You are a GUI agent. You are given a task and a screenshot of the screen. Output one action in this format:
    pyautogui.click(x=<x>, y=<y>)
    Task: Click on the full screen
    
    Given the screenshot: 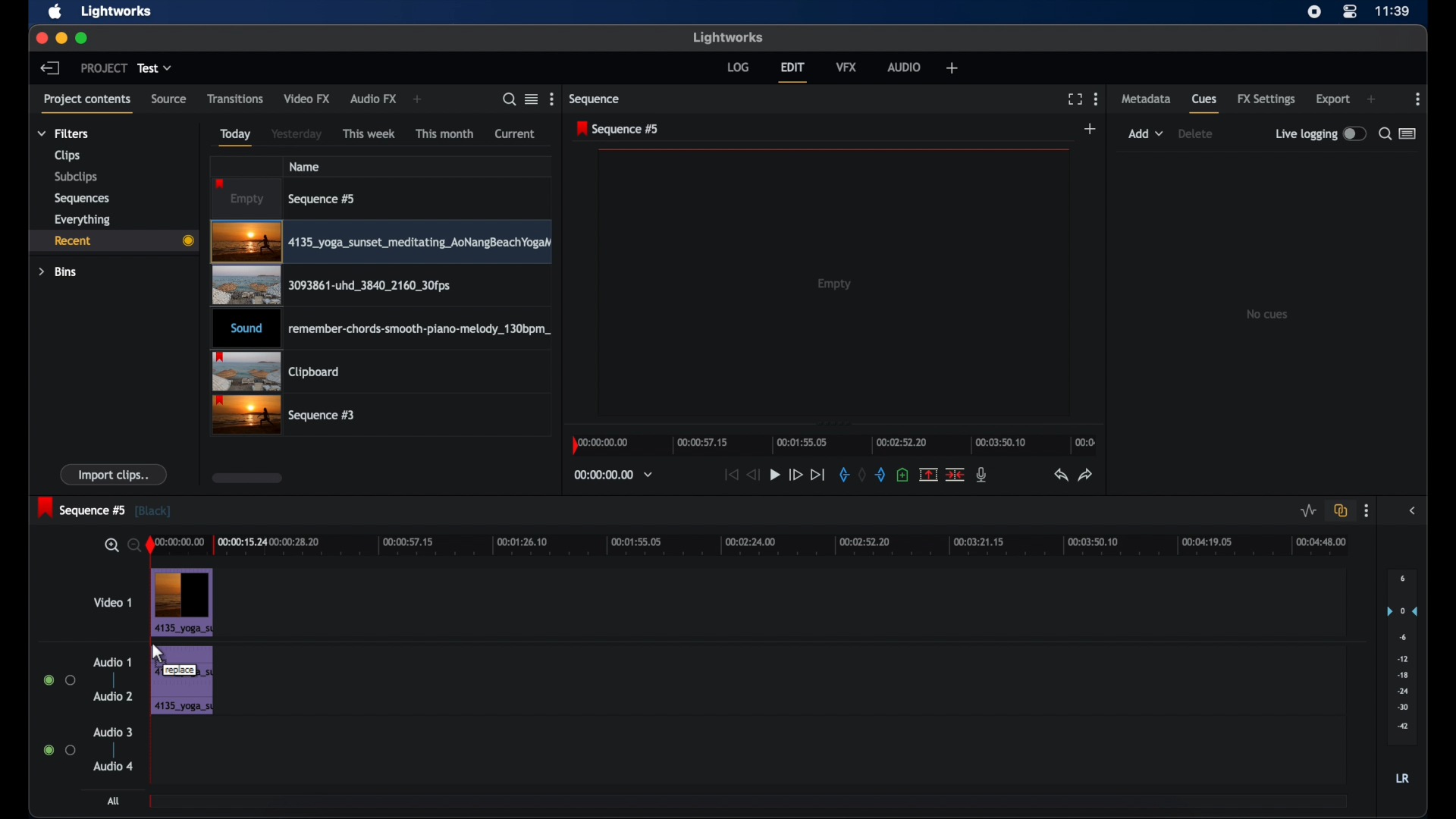 What is the action you would take?
    pyautogui.click(x=1075, y=99)
    